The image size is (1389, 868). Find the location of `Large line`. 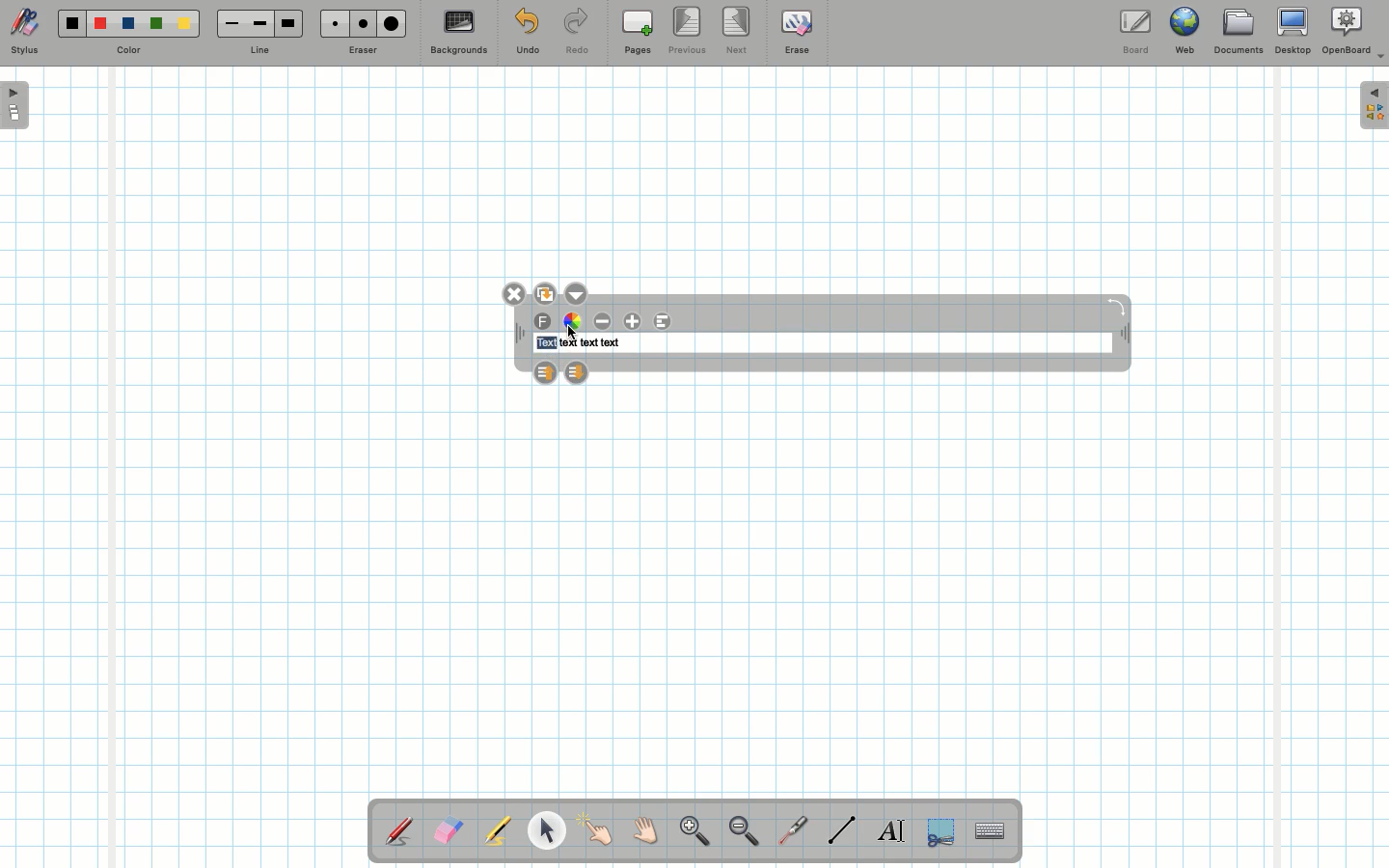

Large line is located at coordinates (289, 23).